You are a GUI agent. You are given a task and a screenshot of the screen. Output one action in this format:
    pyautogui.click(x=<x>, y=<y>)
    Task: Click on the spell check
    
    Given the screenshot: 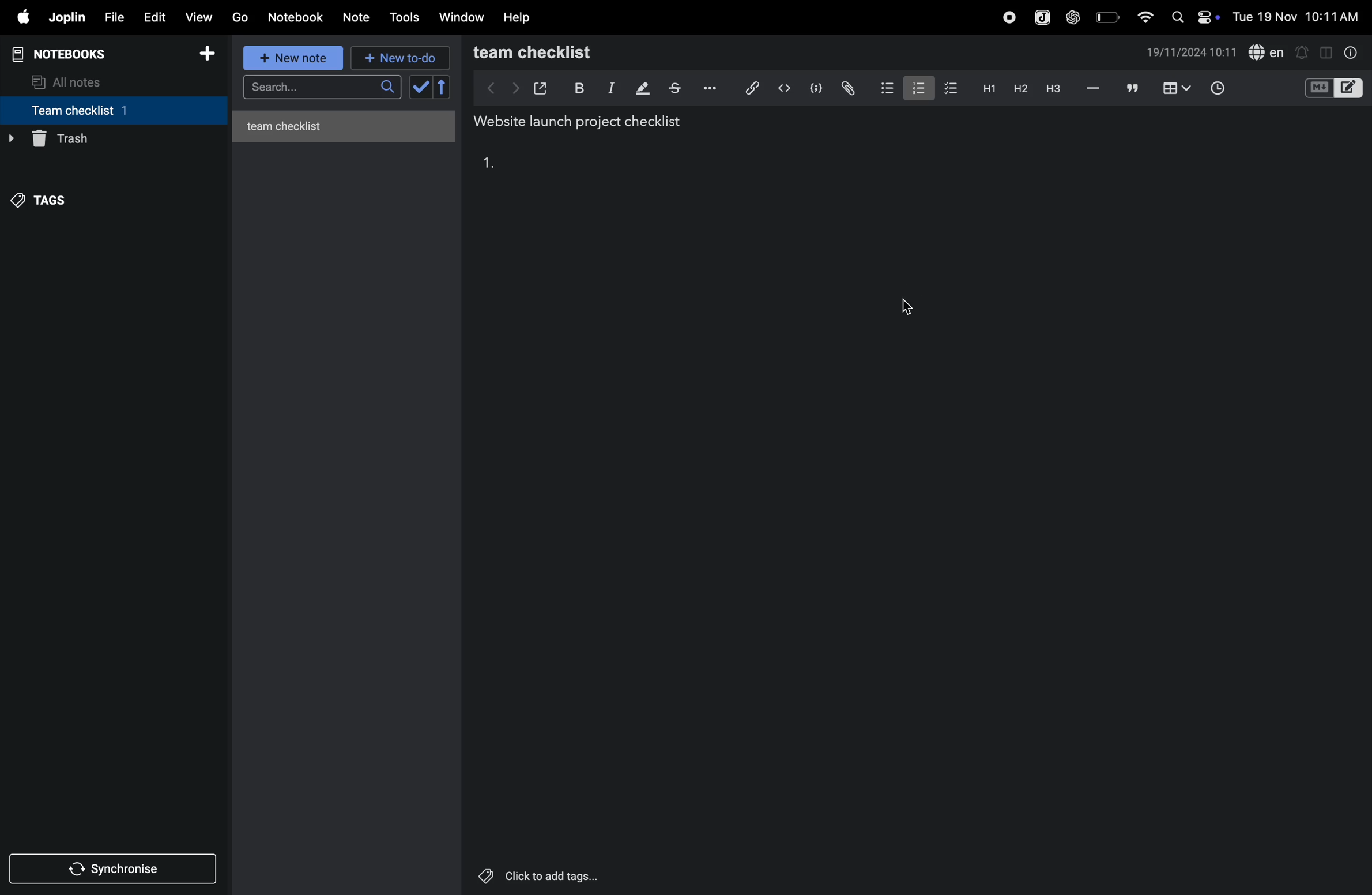 What is the action you would take?
    pyautogui.click(x=1268, y=52)
    